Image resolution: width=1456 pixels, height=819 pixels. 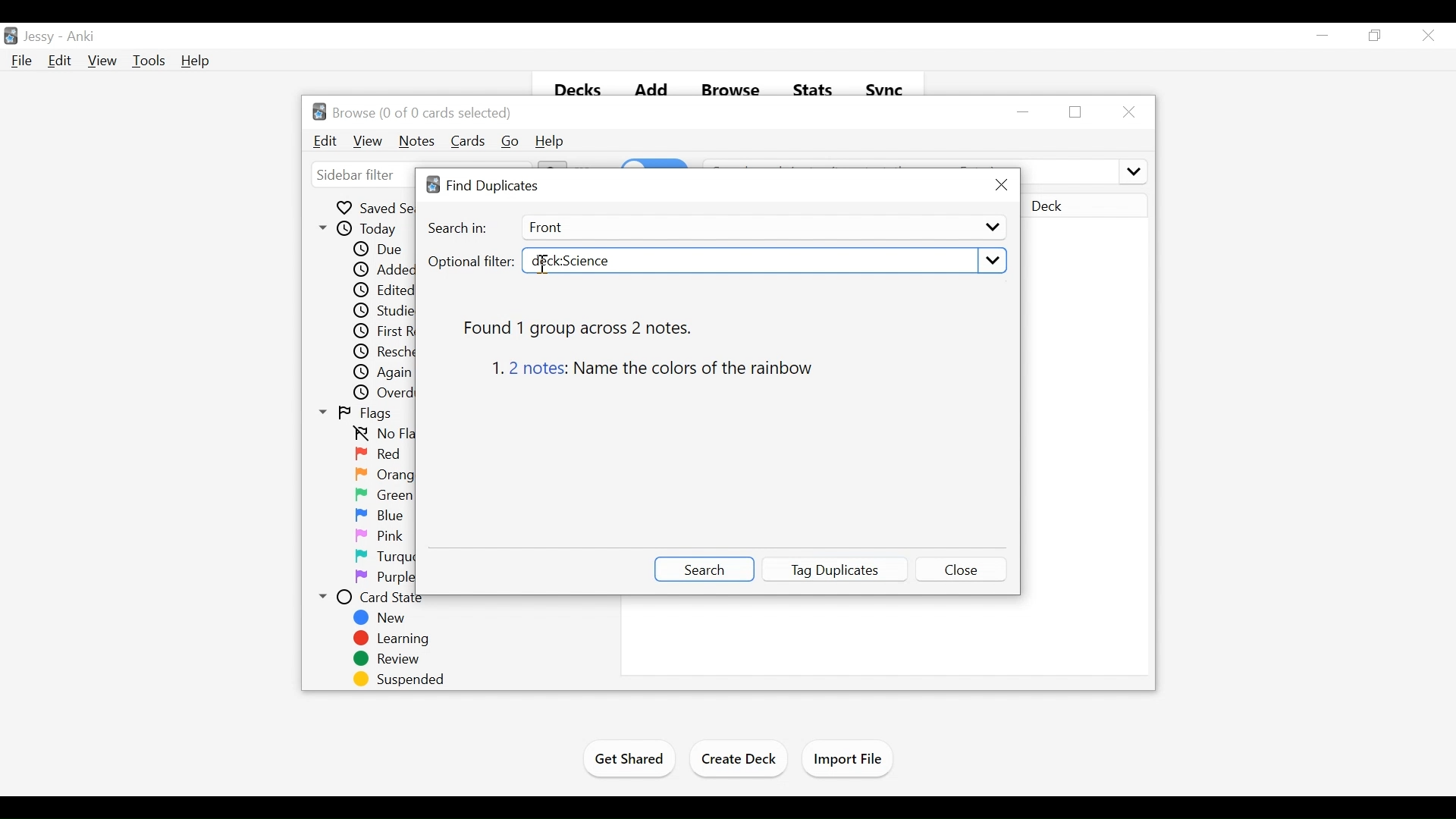 What do you see at coordinates (1077, 112) in the screenshot?
I see `Restore` at bounding box center [1077, 112].